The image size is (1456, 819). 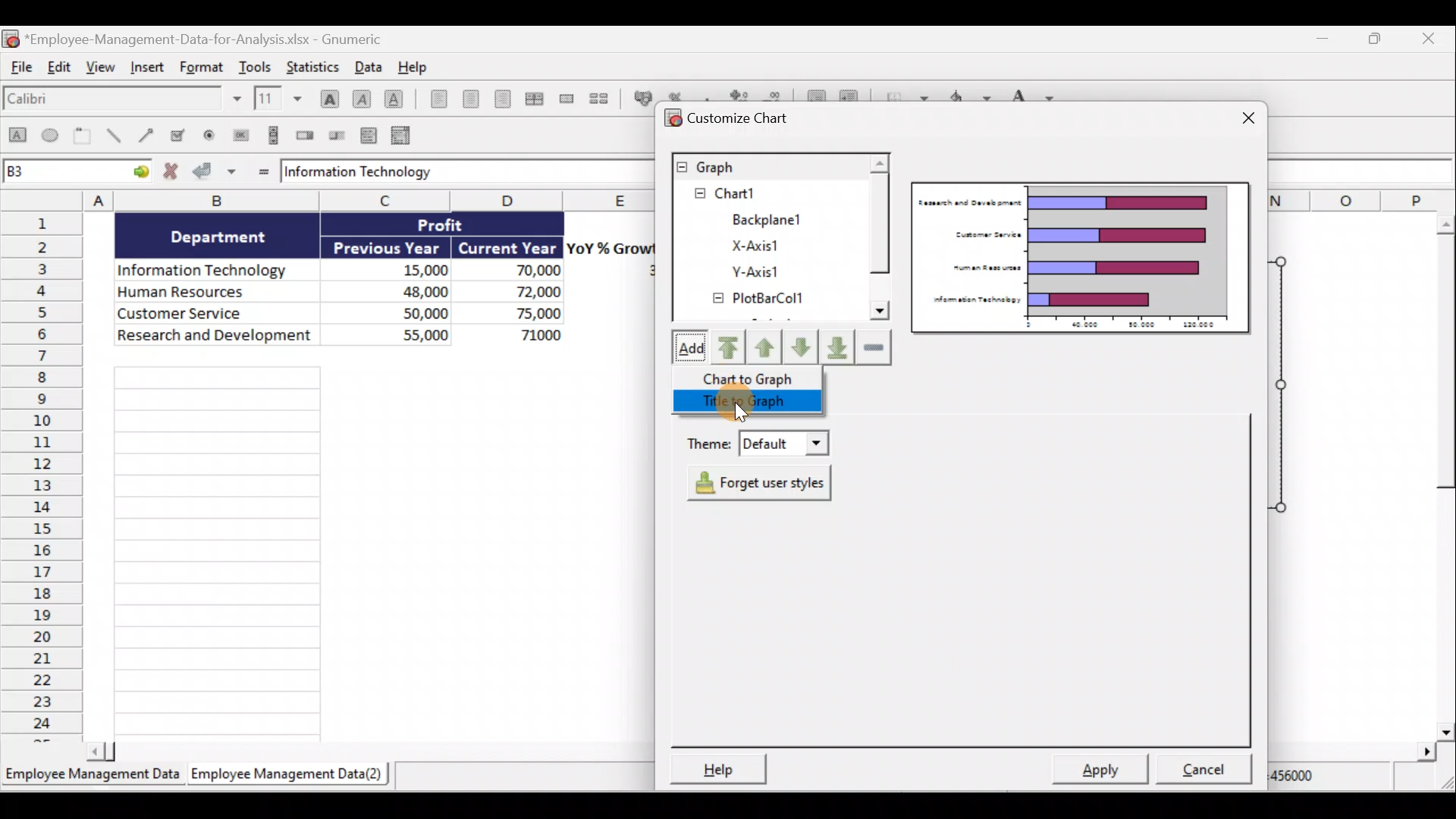 I want to click on Gnumeric logo, so click(x=11, y=38).